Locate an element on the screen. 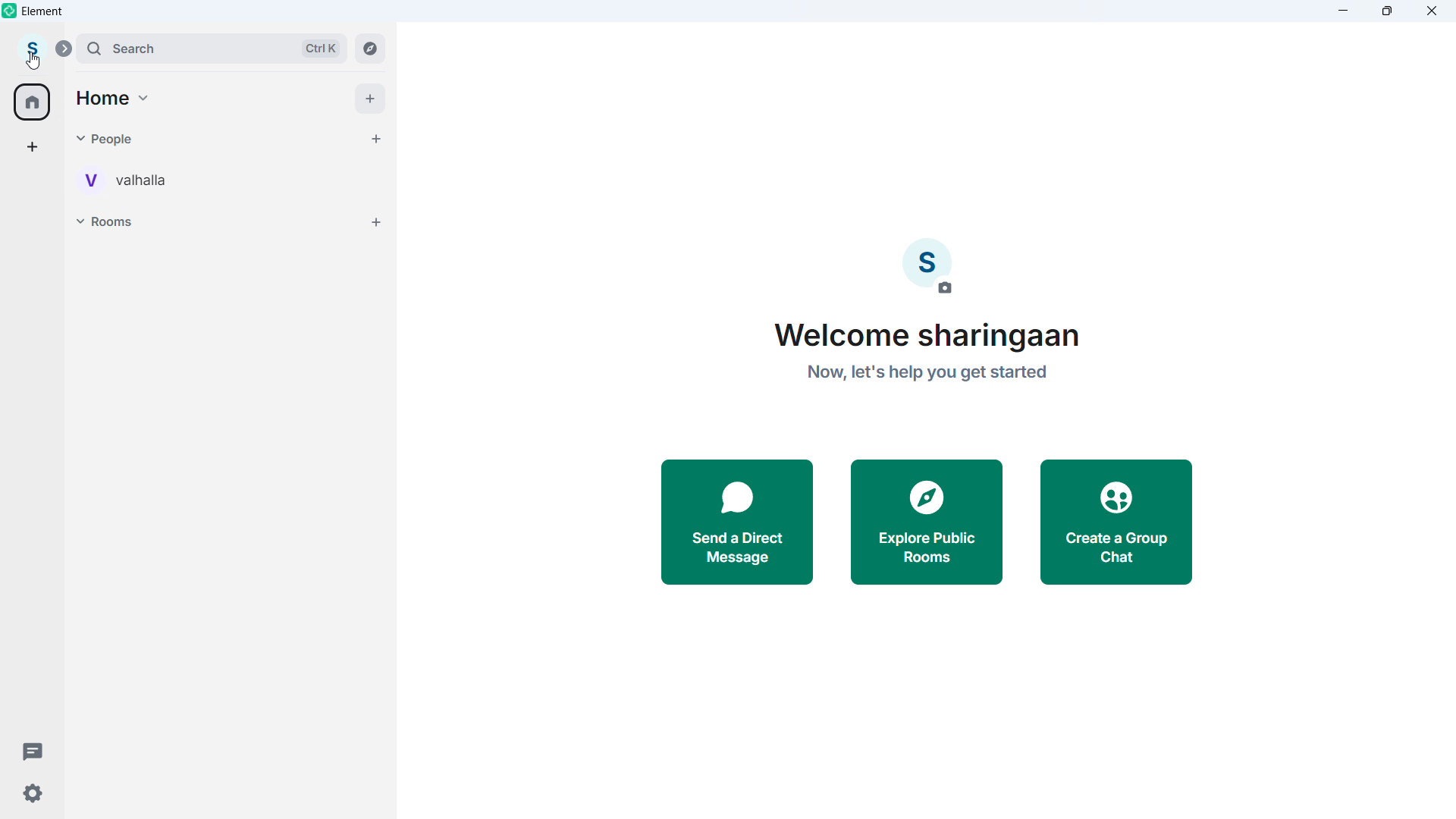  element is located at coordinates (43, 13).